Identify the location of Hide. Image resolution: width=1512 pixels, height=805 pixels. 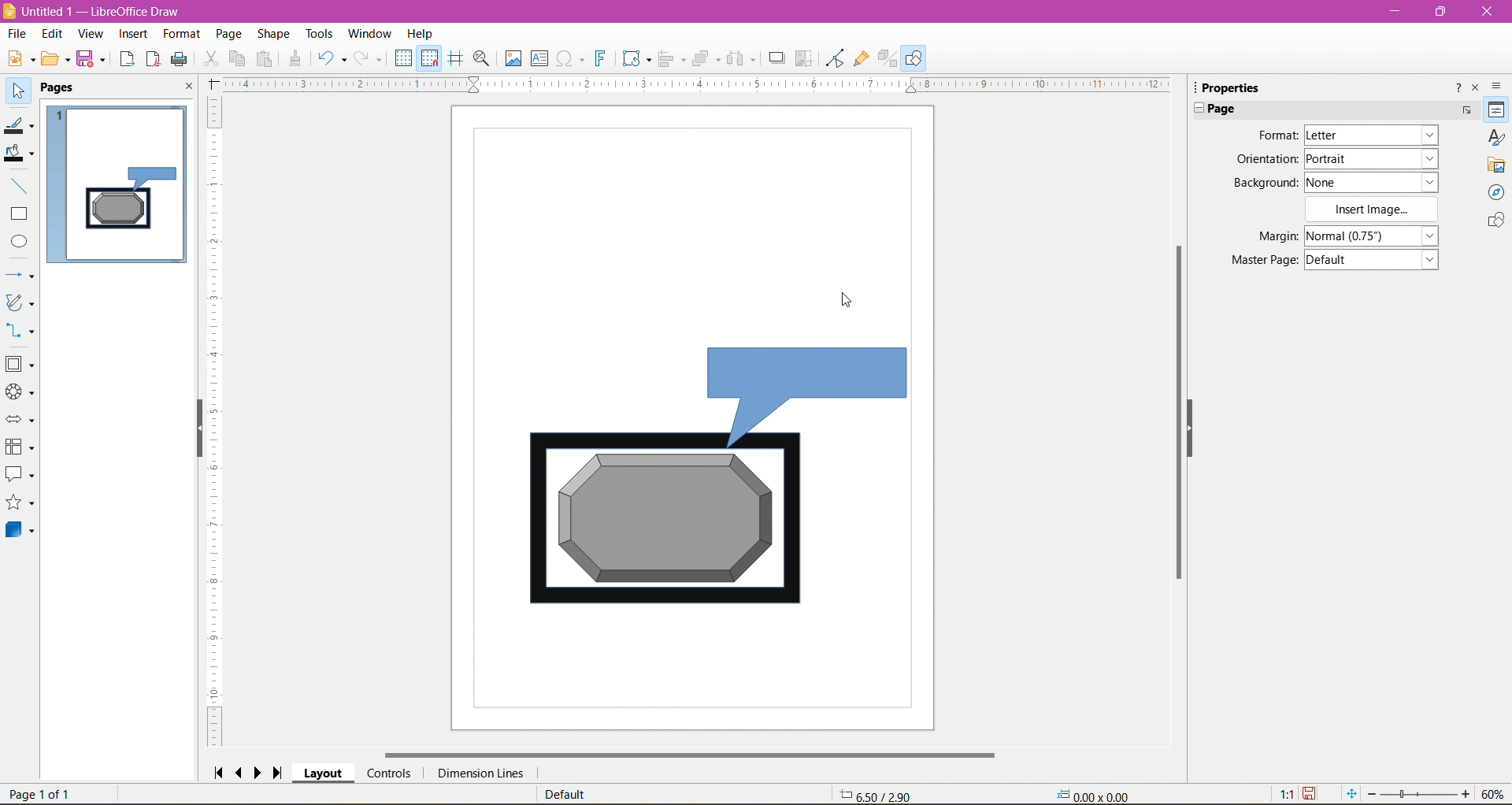
(194, 432).